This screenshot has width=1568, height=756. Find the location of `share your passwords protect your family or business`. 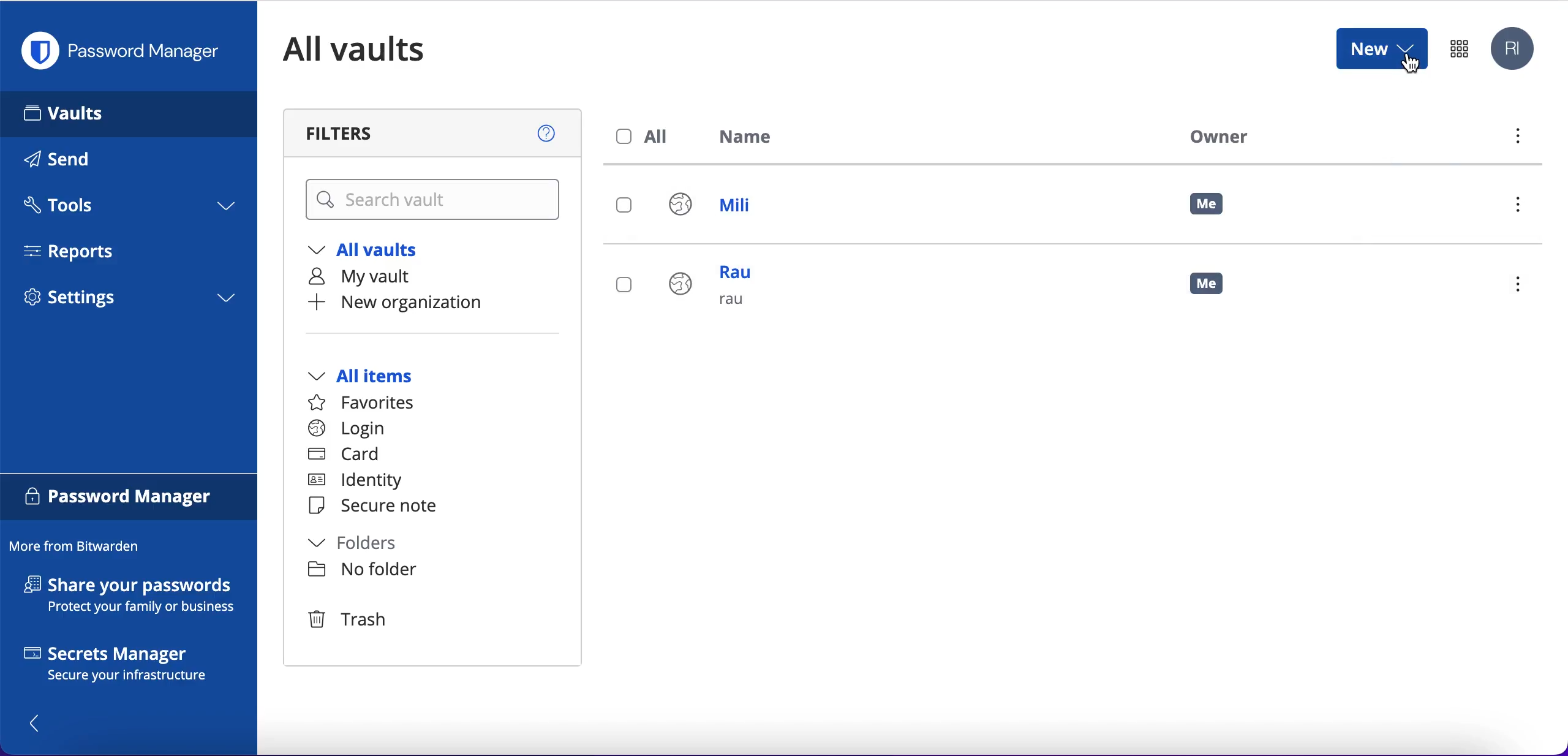

share your passwords protect your family or business is located at coordinates (136, 597).